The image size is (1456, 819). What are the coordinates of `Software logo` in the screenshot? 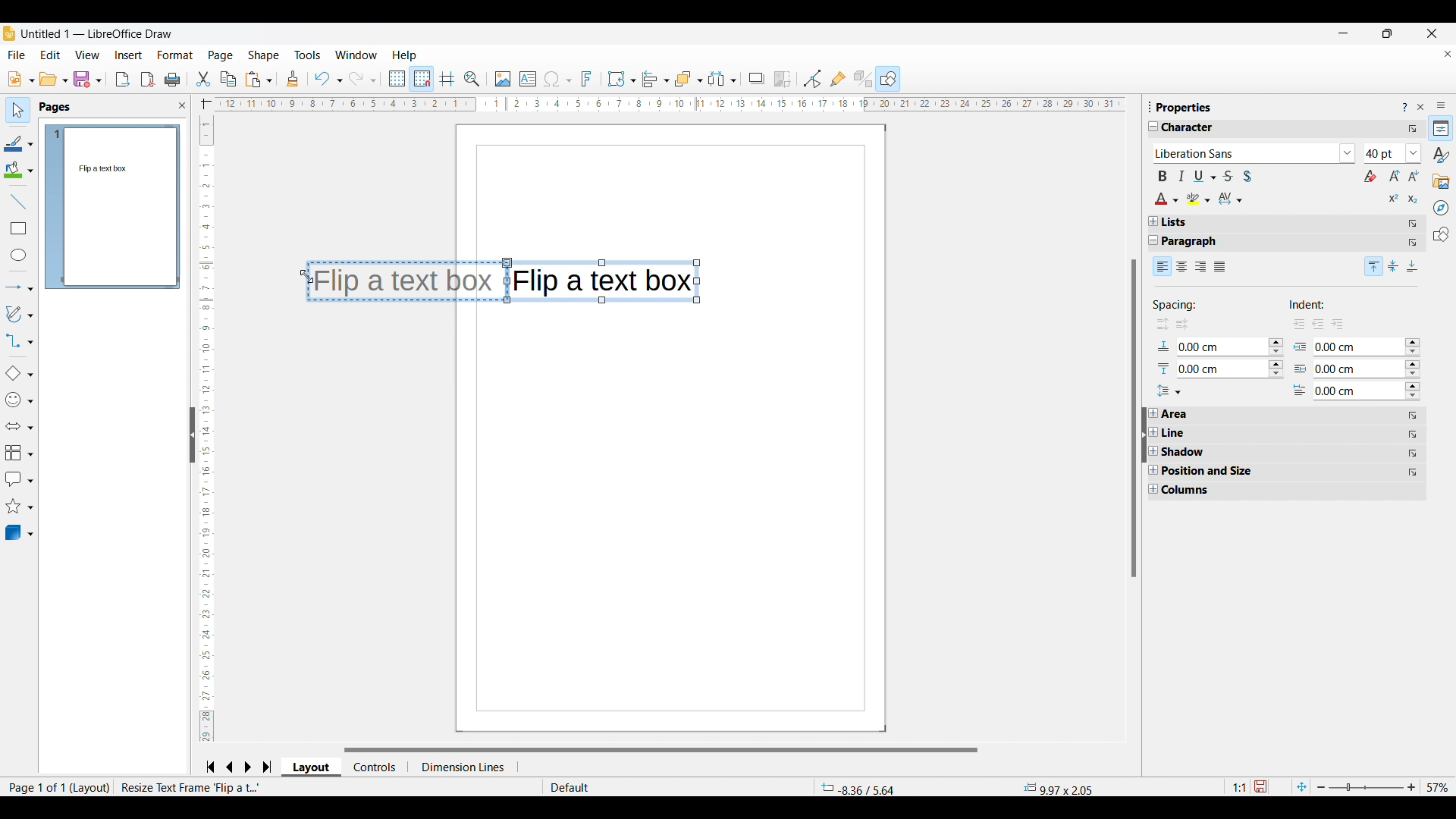 It's located at (9, 33).